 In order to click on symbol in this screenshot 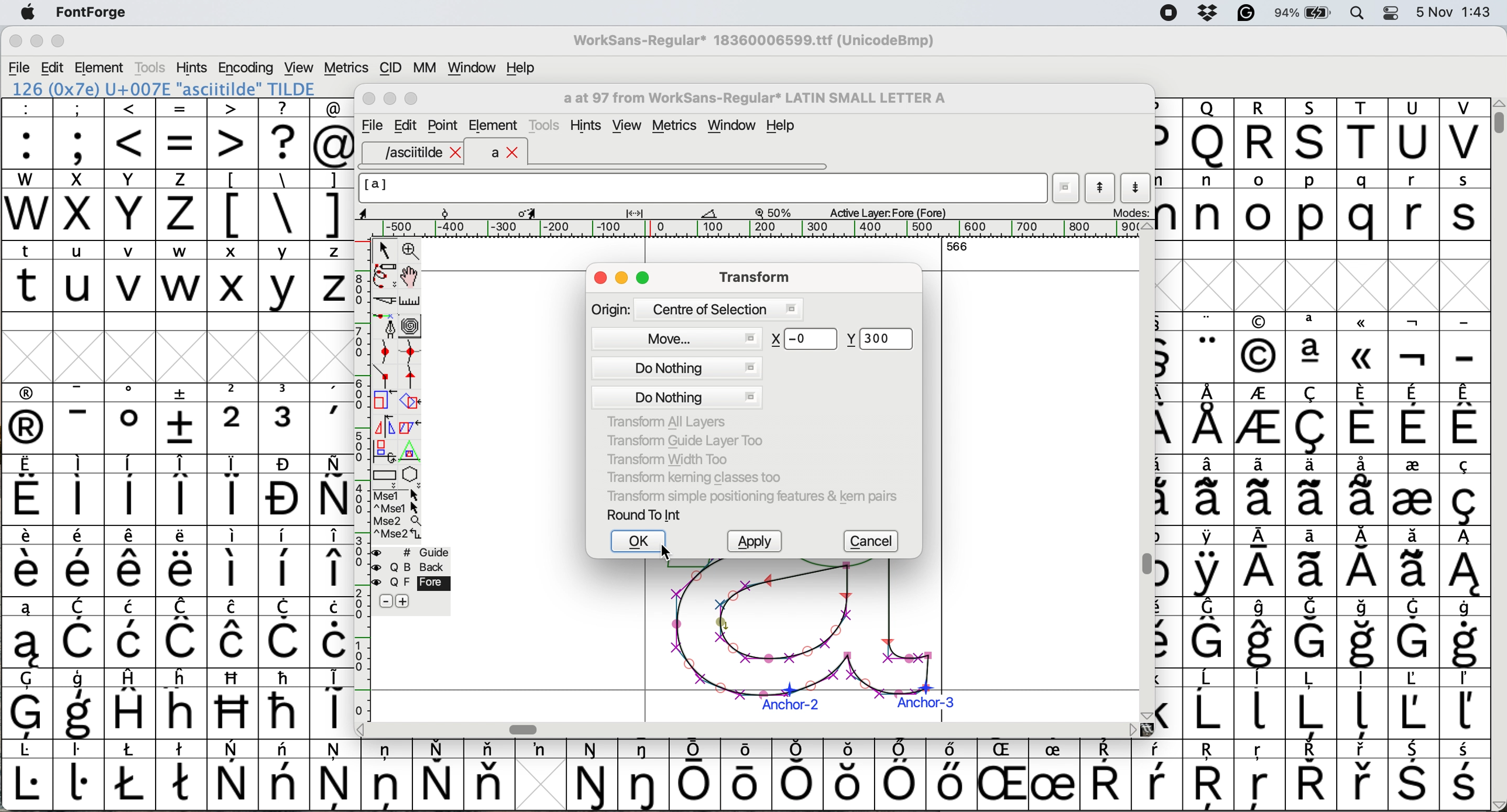, I will do `click(1054, 776)`.